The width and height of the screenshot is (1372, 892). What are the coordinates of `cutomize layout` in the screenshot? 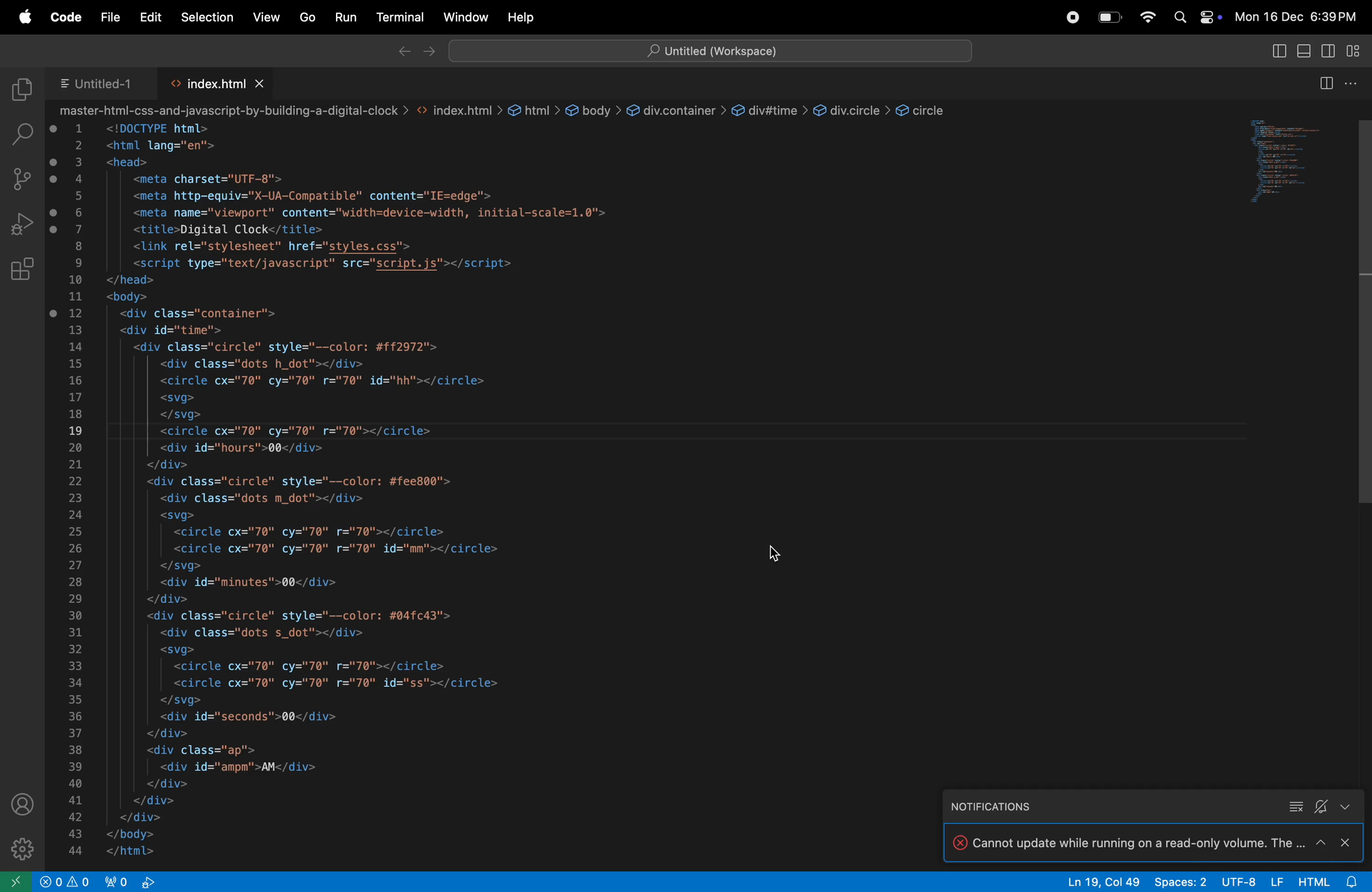 It's located at (1358, 52).